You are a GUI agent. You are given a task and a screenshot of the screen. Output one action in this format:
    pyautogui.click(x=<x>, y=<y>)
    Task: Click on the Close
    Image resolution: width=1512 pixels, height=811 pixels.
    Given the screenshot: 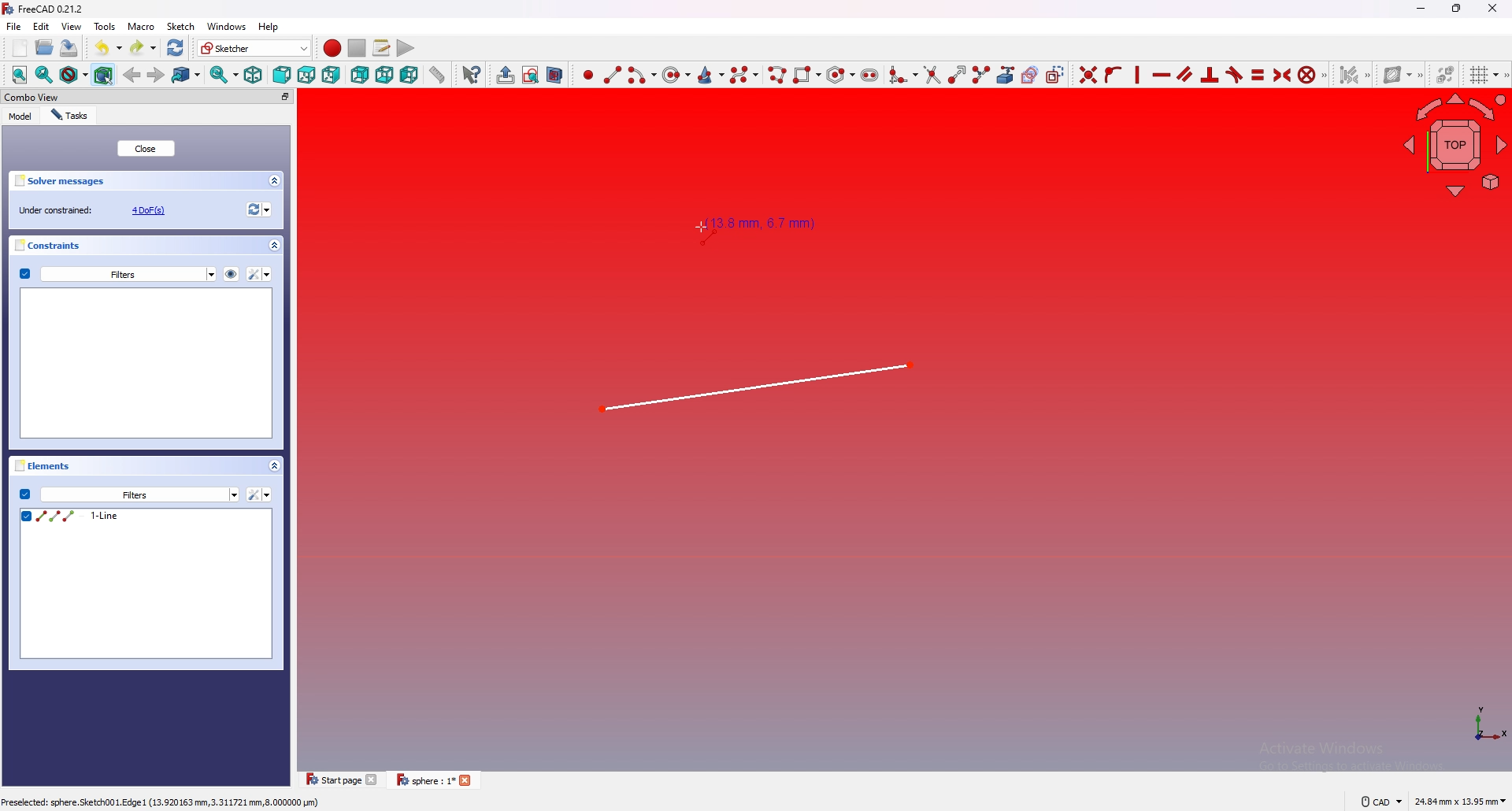 What is the action you would take?
    pyautogui.click(x=1492, y=8)
    